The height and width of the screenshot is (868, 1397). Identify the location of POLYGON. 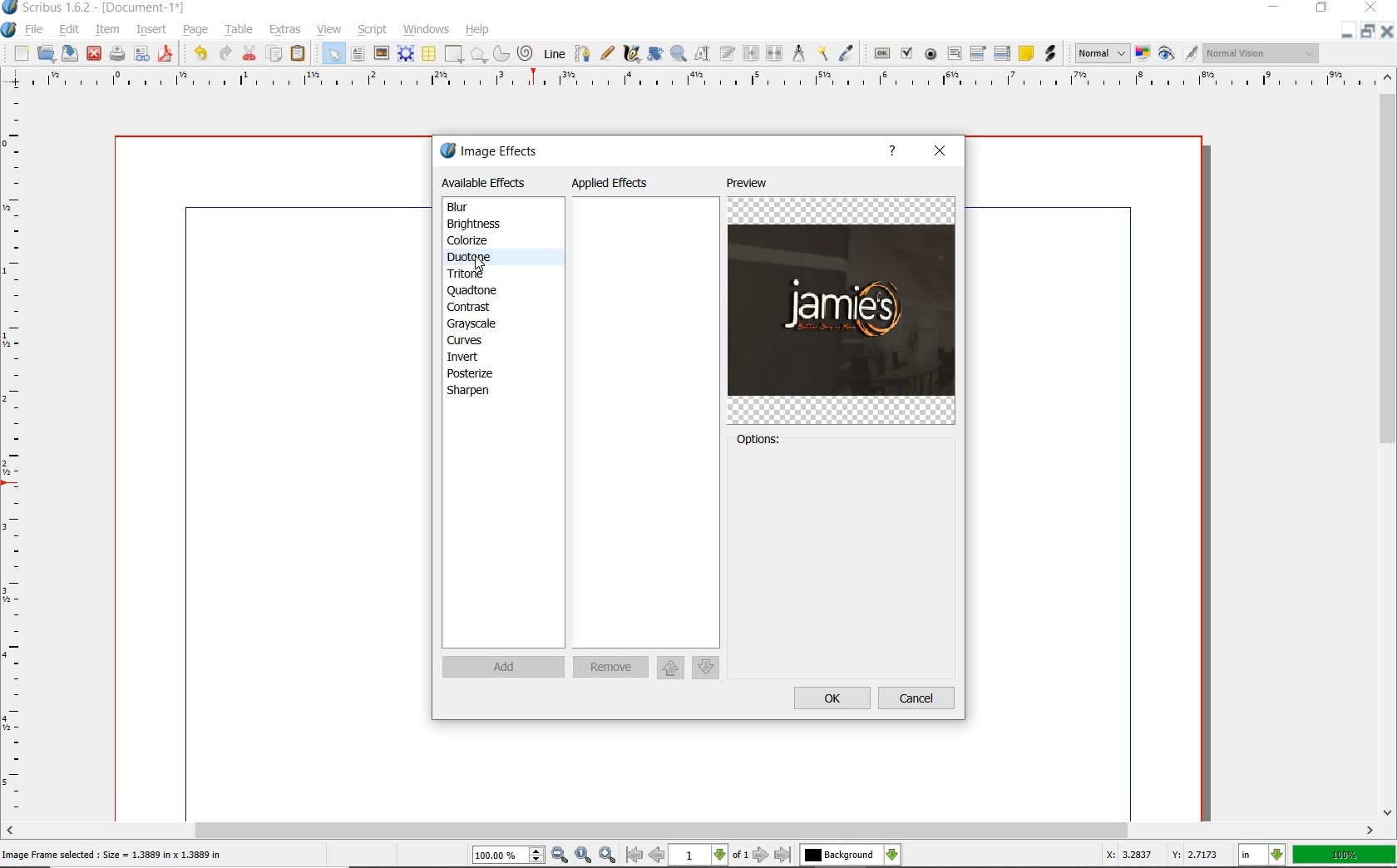
(478, 55).